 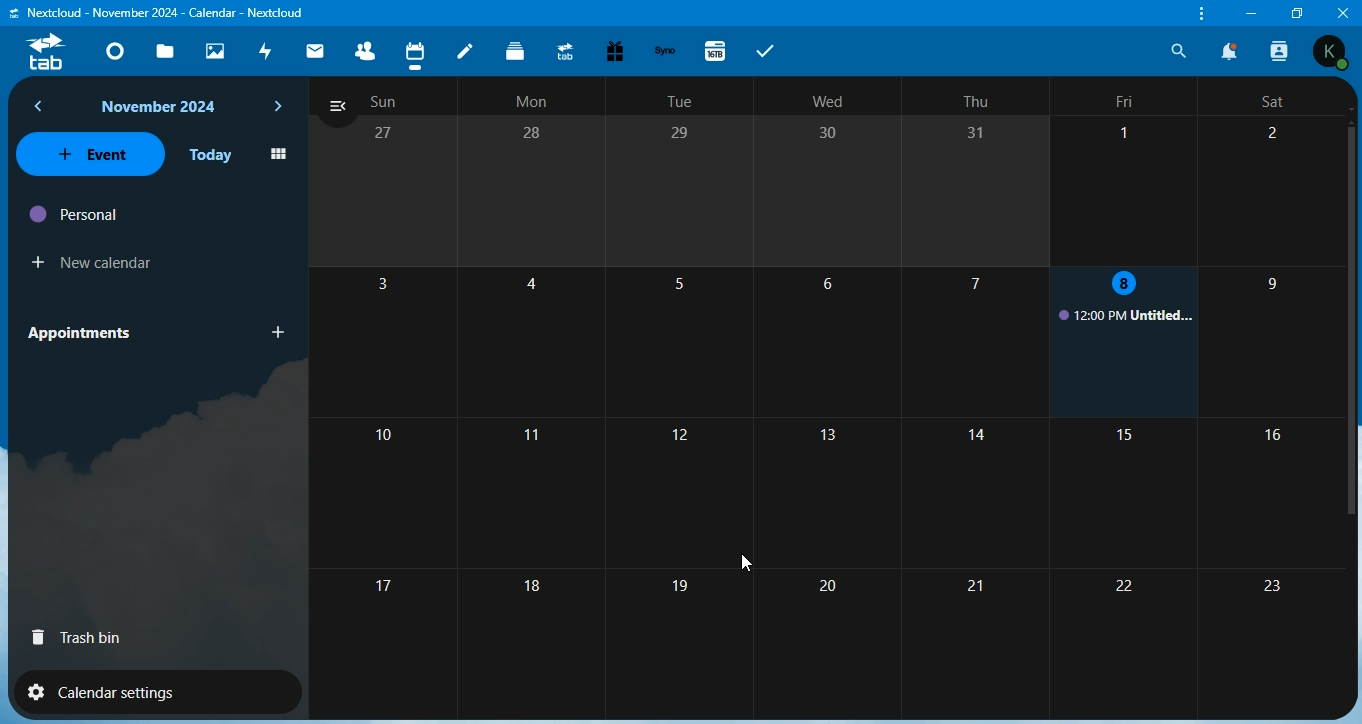 What do you see at coordinates (1340, 12) in the screenshot?
I see `` at bounding box center [1340, 12].